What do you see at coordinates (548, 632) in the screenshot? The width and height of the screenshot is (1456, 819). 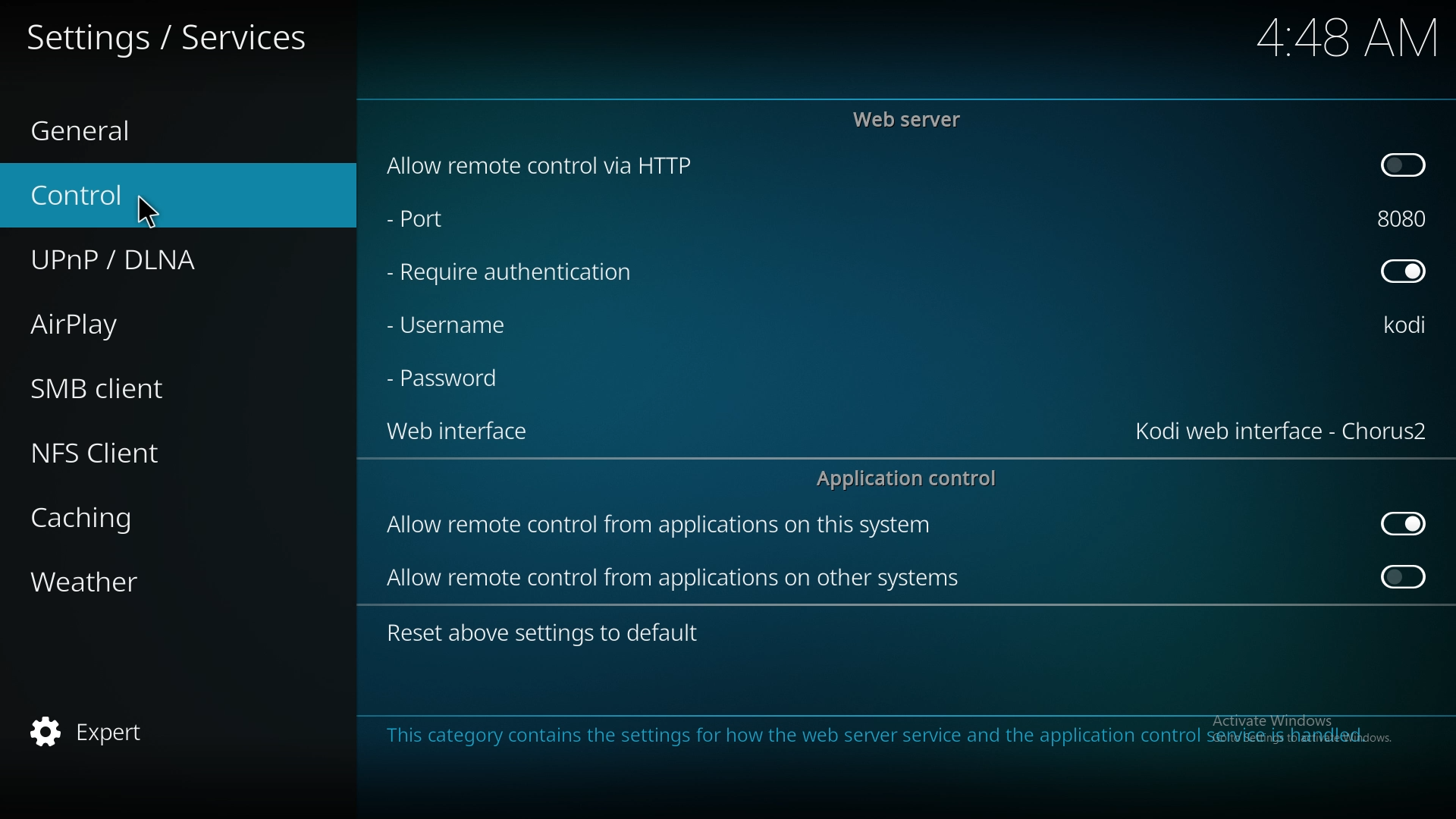 I see `reset settings` at bounding box center [548, 632].